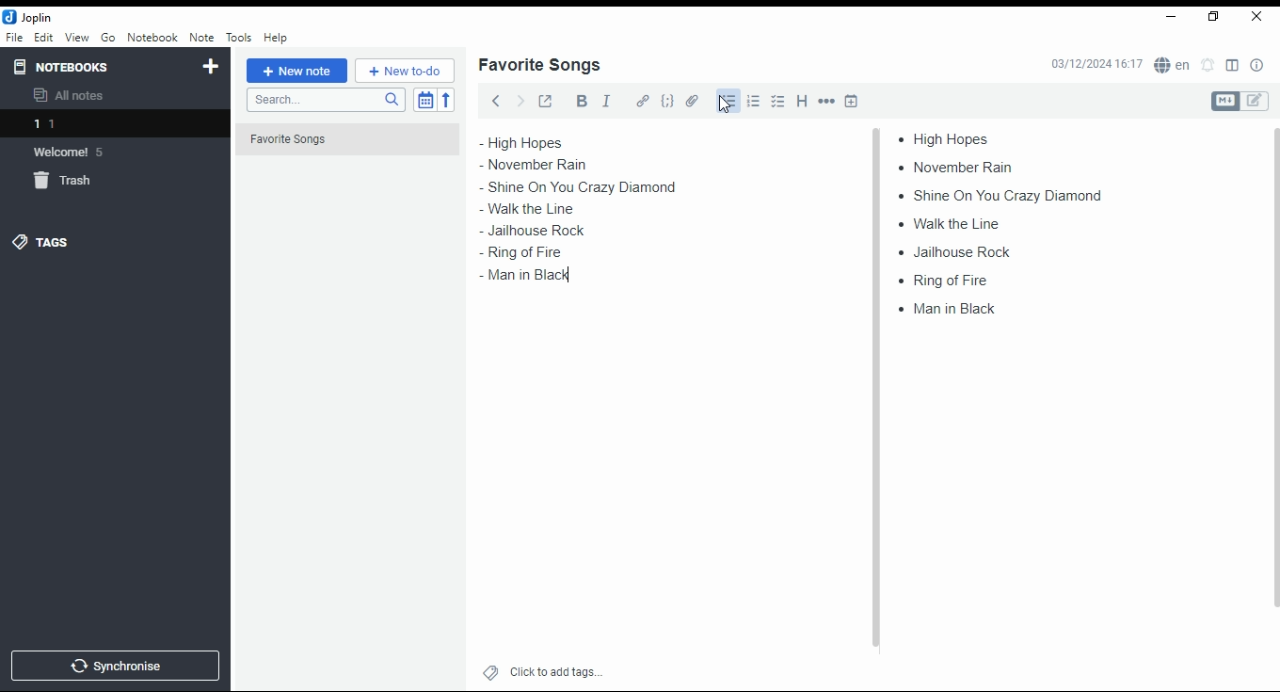  What do you see at coordinates (726, 101) in the screenshot?
I see `bullets` at bounding box center [726, 101].